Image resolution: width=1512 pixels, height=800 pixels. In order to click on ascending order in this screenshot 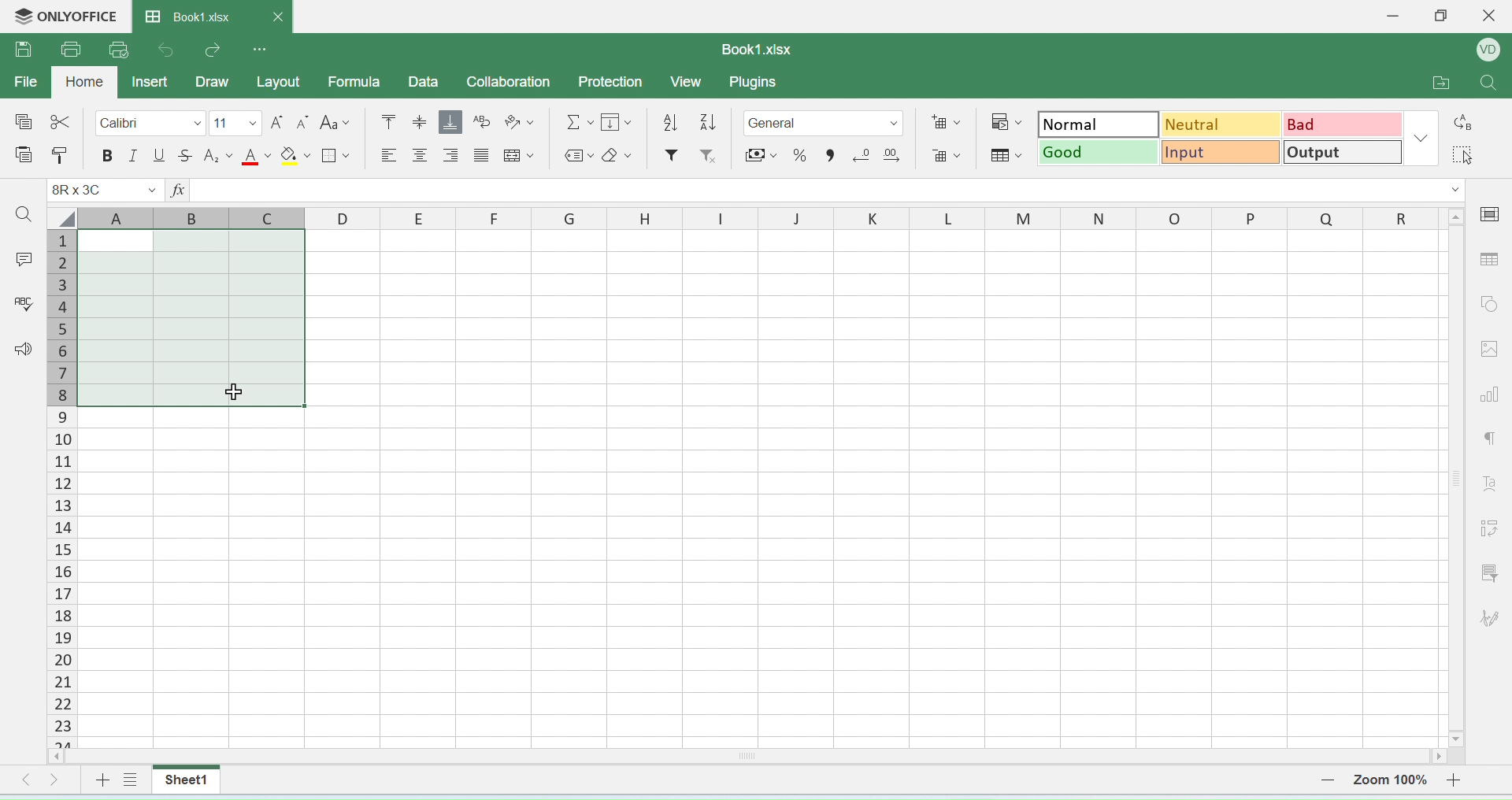, I will do `click(710, 122)`.